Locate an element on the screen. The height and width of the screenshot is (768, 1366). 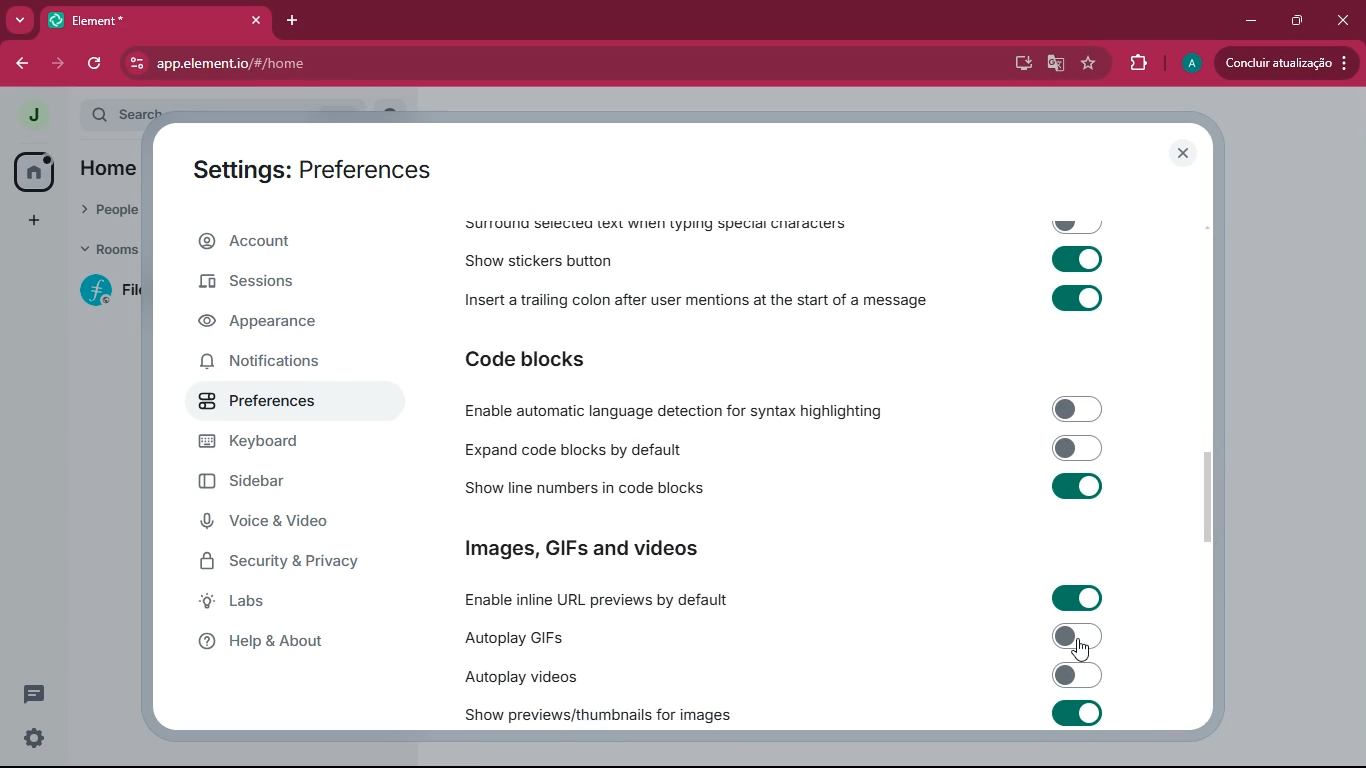
keyboard  is located at coordinates (283, 444).